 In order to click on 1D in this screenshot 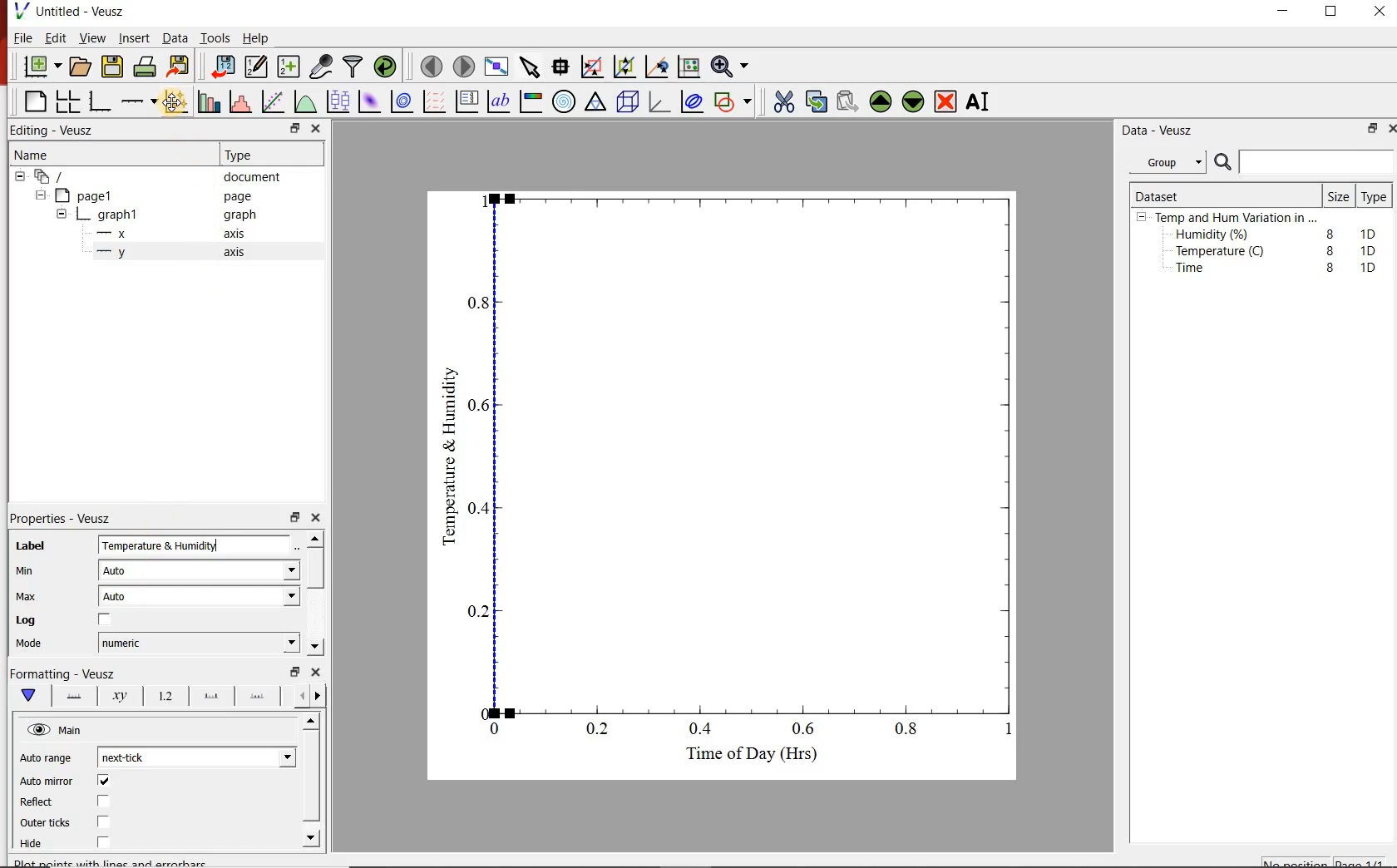, I will do `click(1368, 267)`.